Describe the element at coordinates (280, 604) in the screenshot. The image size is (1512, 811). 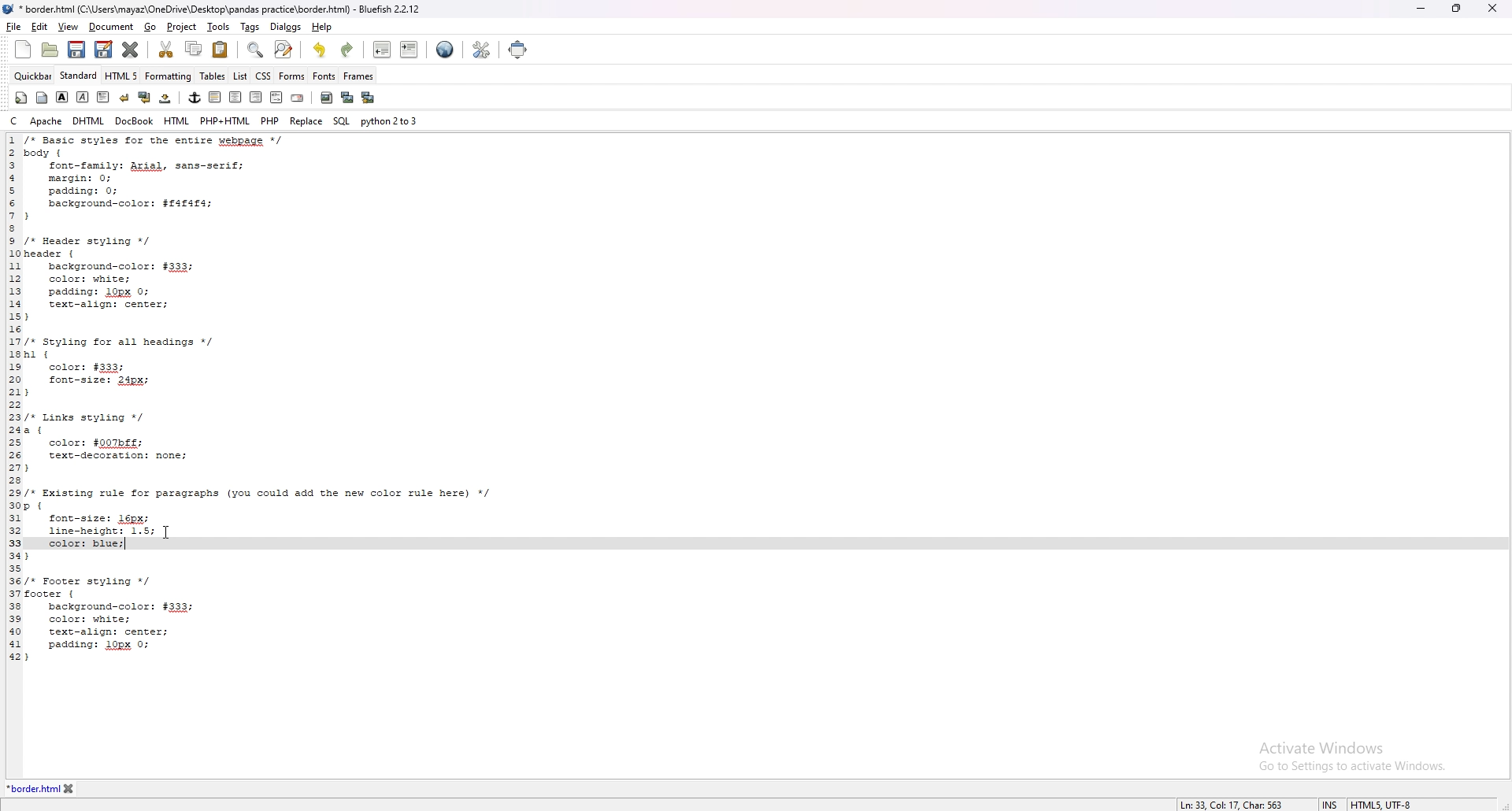
I see `code` at that location.